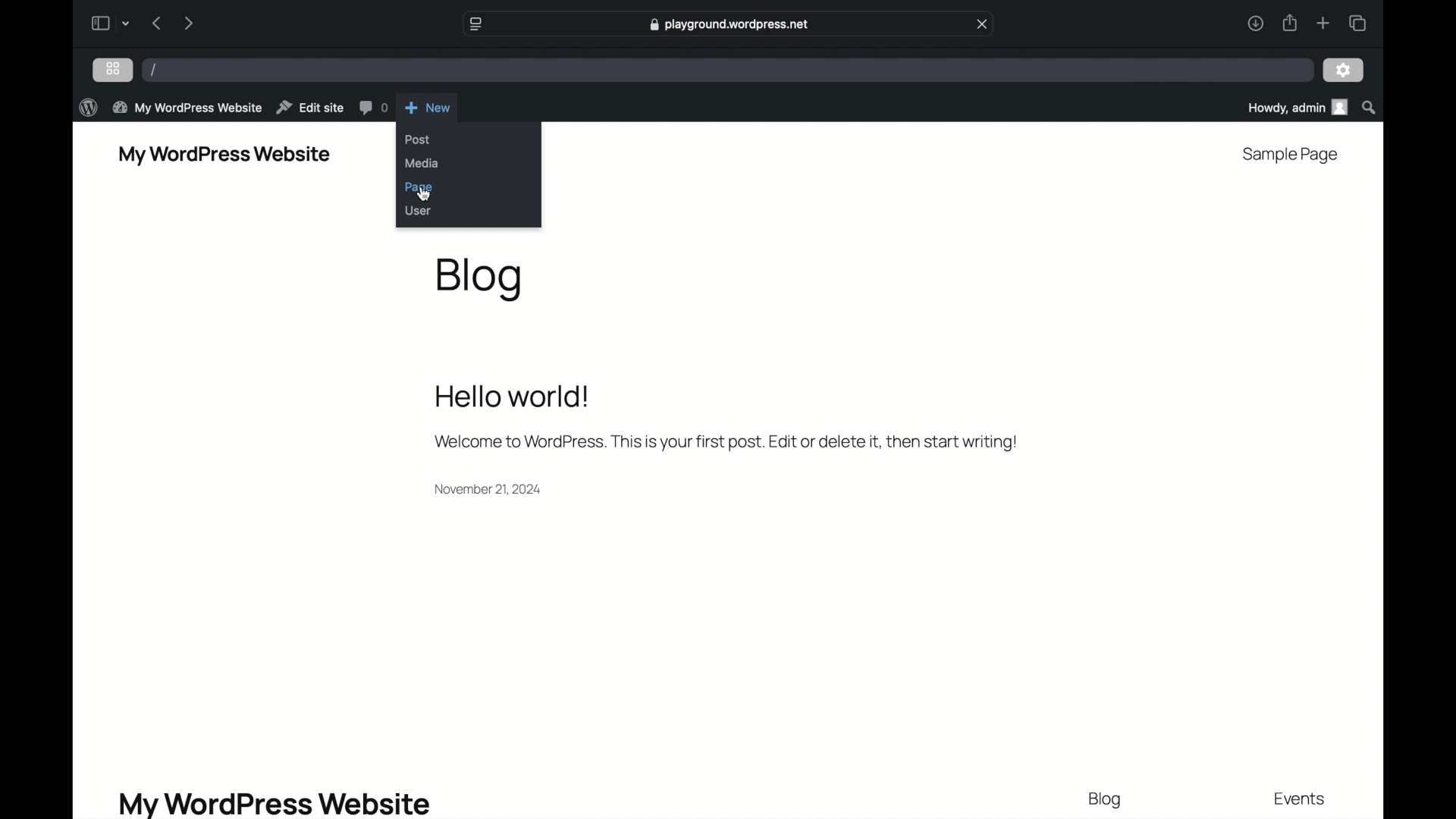 This screenshot has width=1456, height=819. I want to click on edit site, so click(309, 107).